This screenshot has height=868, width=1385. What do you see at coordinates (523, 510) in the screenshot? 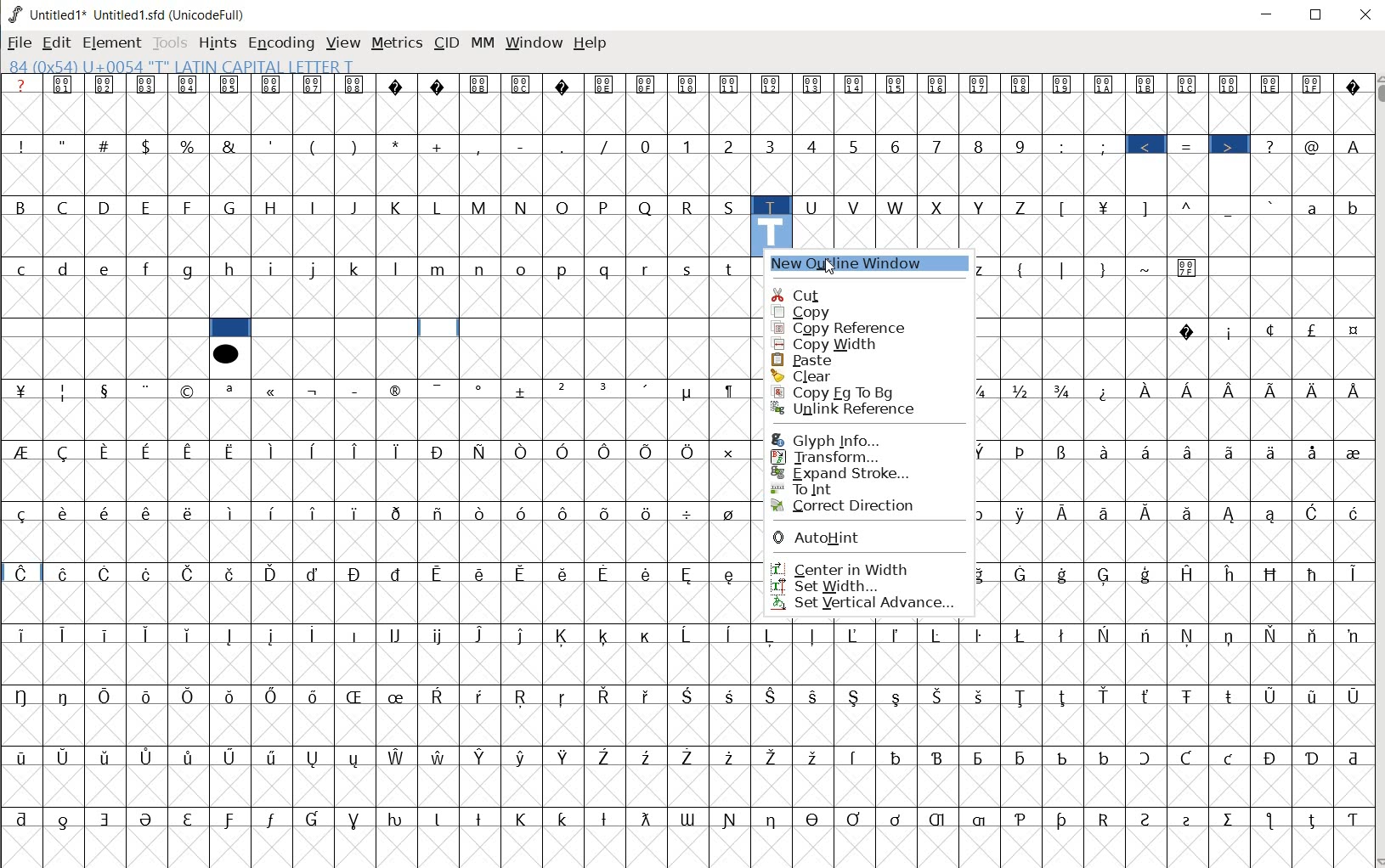
I see `Symbol` at bounding box center [523, 510].